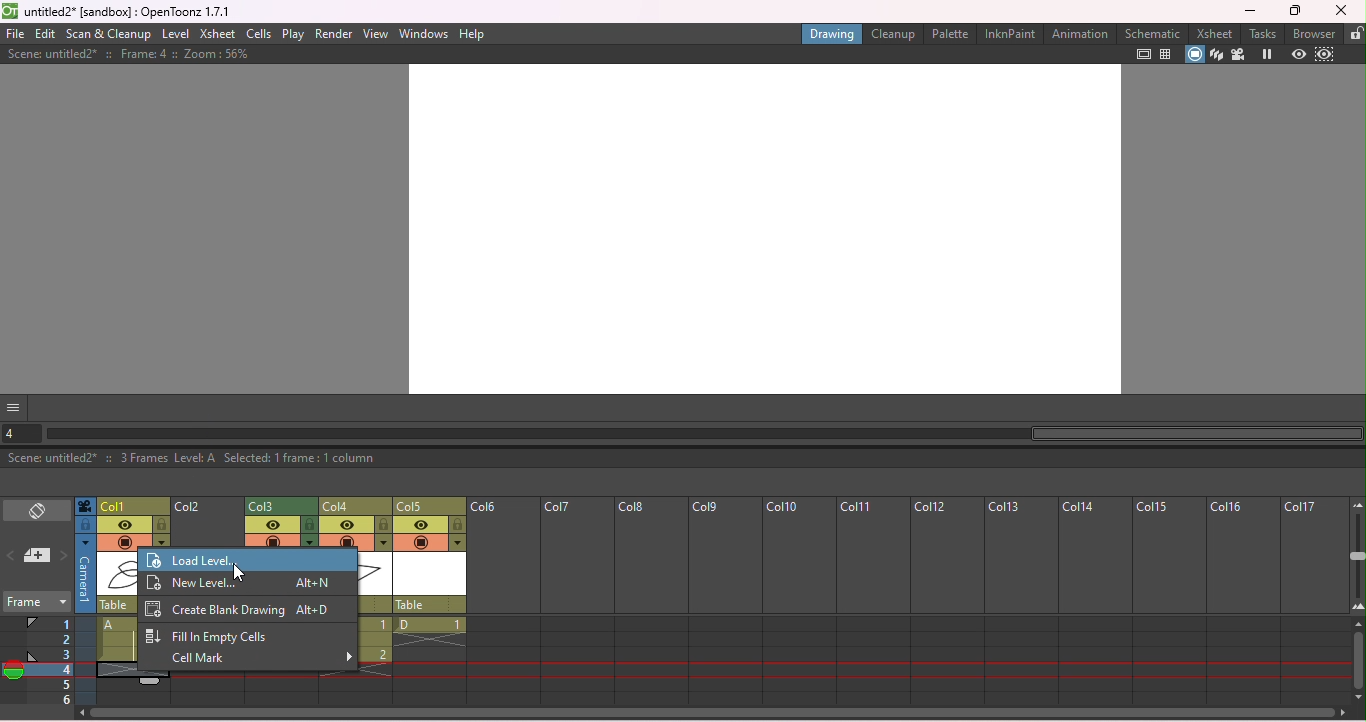 The image size is (1366, 722). I want to click on Cursor, so click(239, 572).